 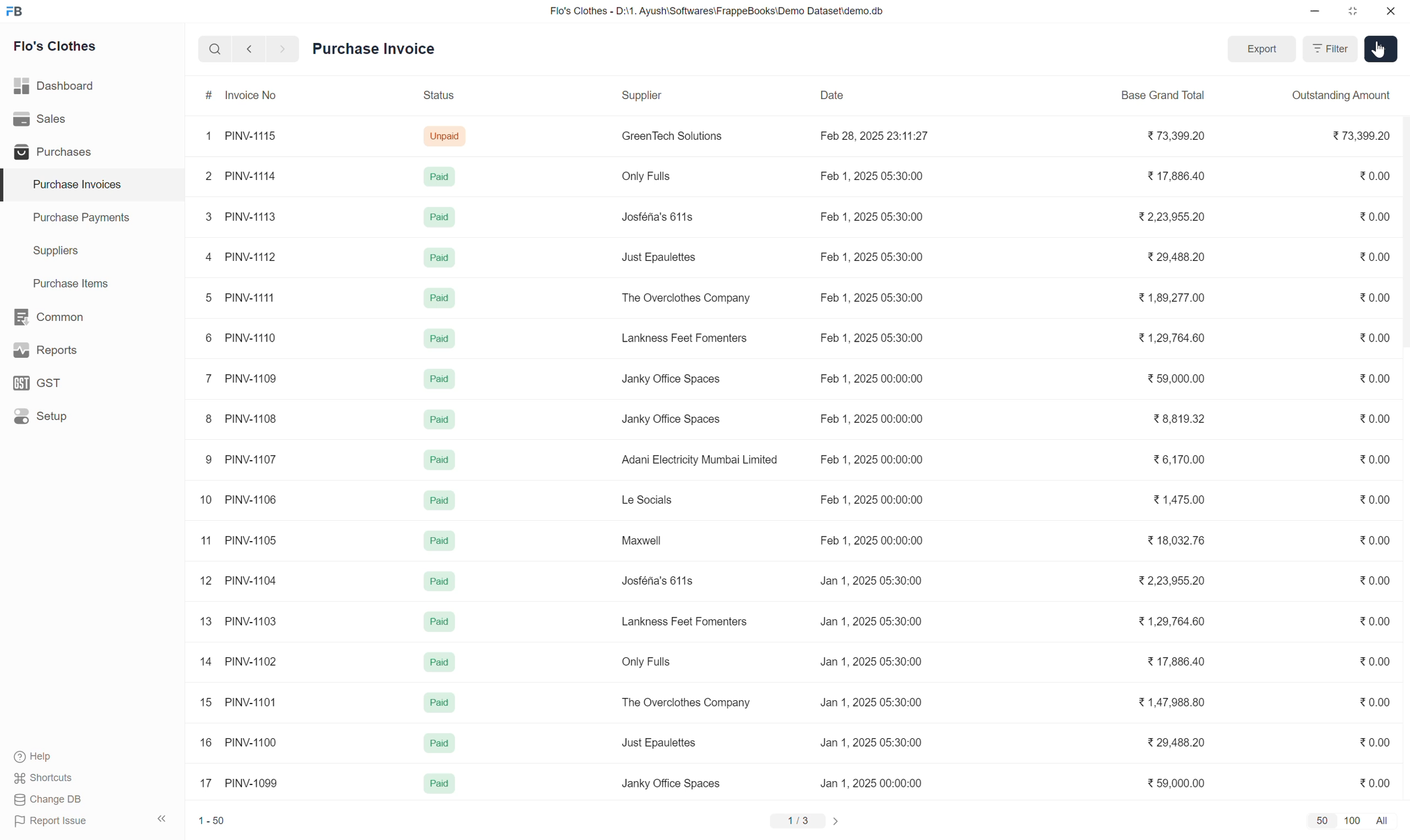 I want to click on Filter, so click(x=1331, y=50).